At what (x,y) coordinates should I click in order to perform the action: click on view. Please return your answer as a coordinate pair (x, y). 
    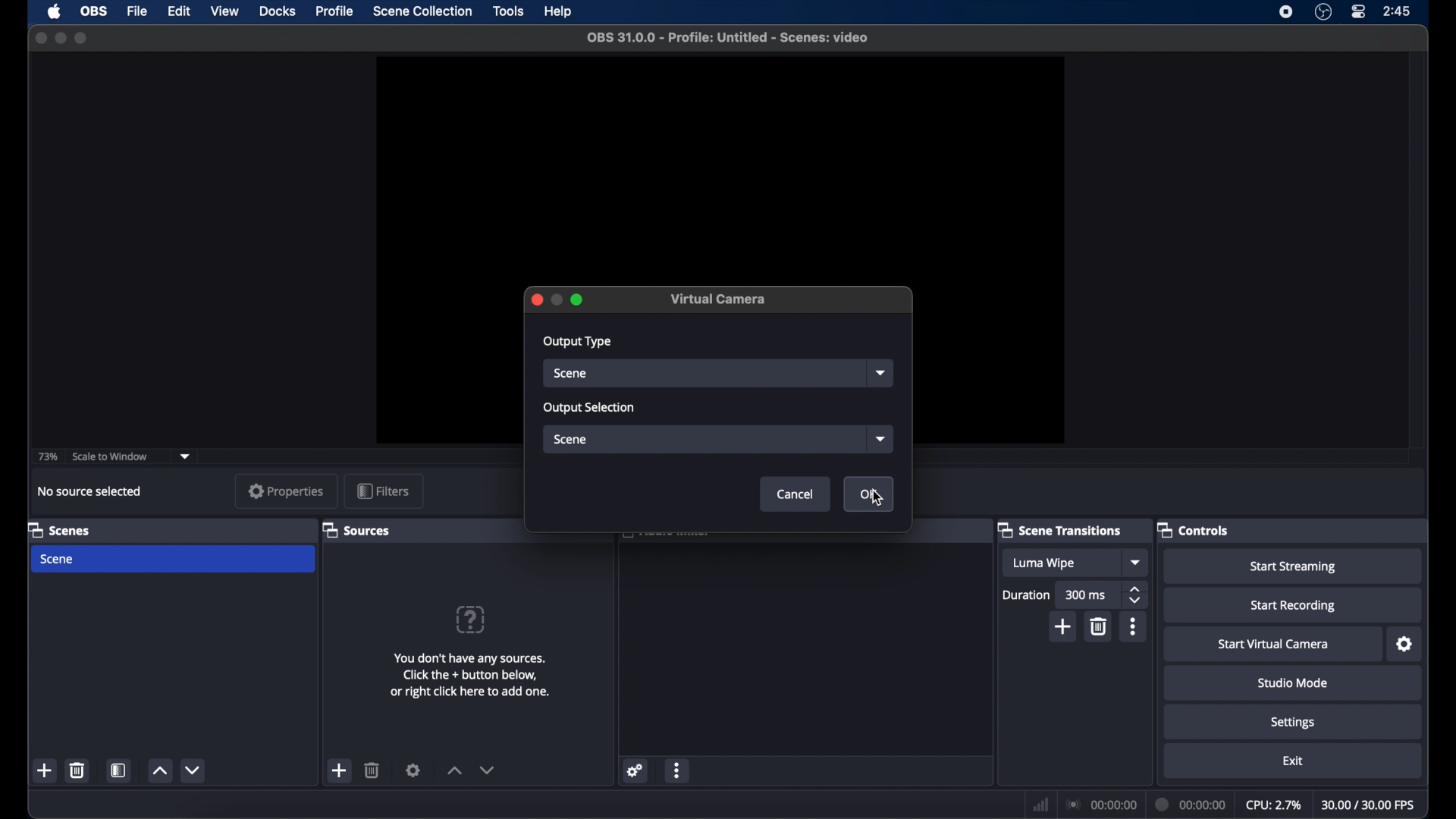
    Looking at the image, I should click on (224, 12).